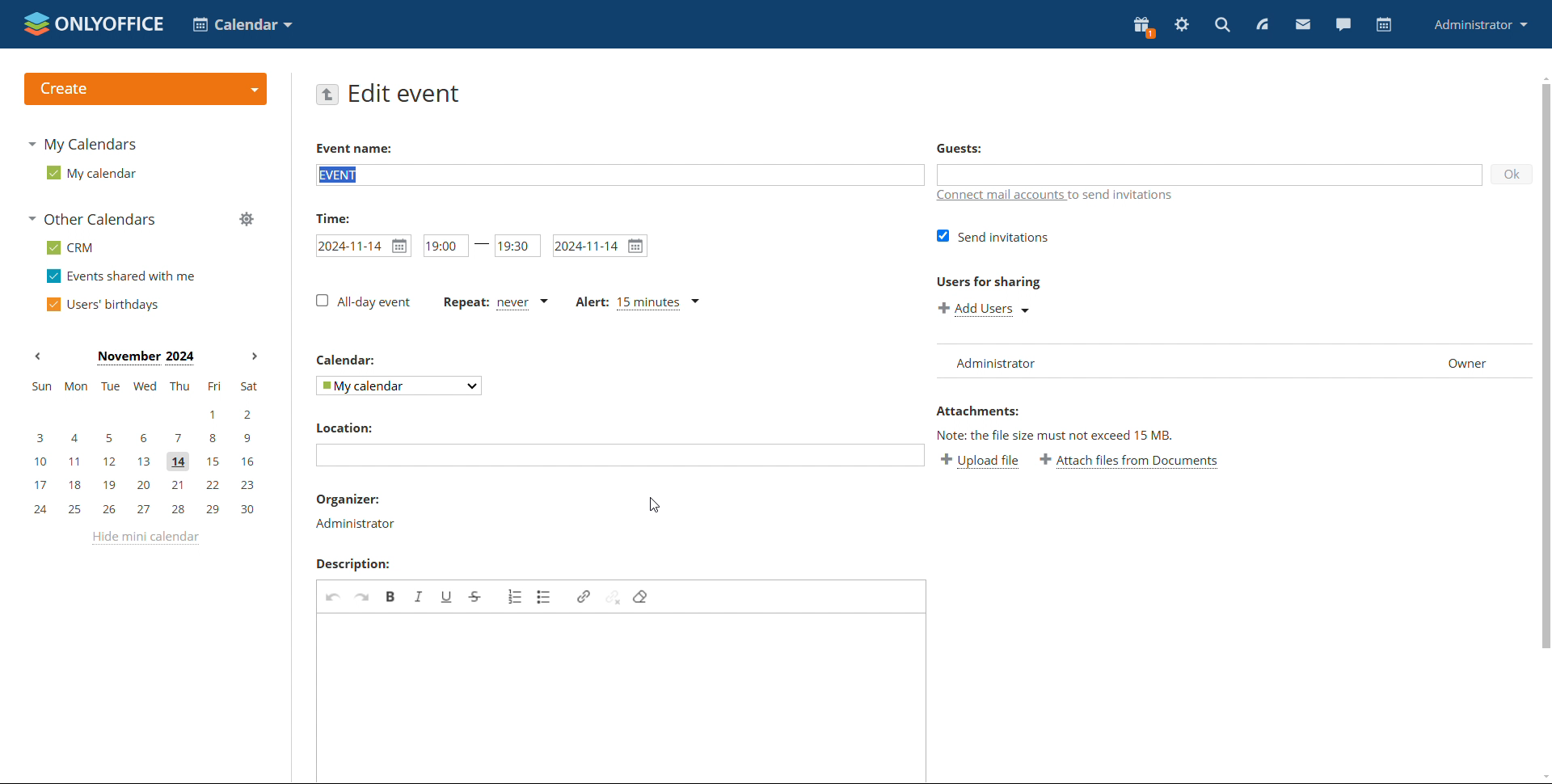 The width and height of the screenshot is (1552, 784). I want to click on attach files from documents, so click(1130, 462).